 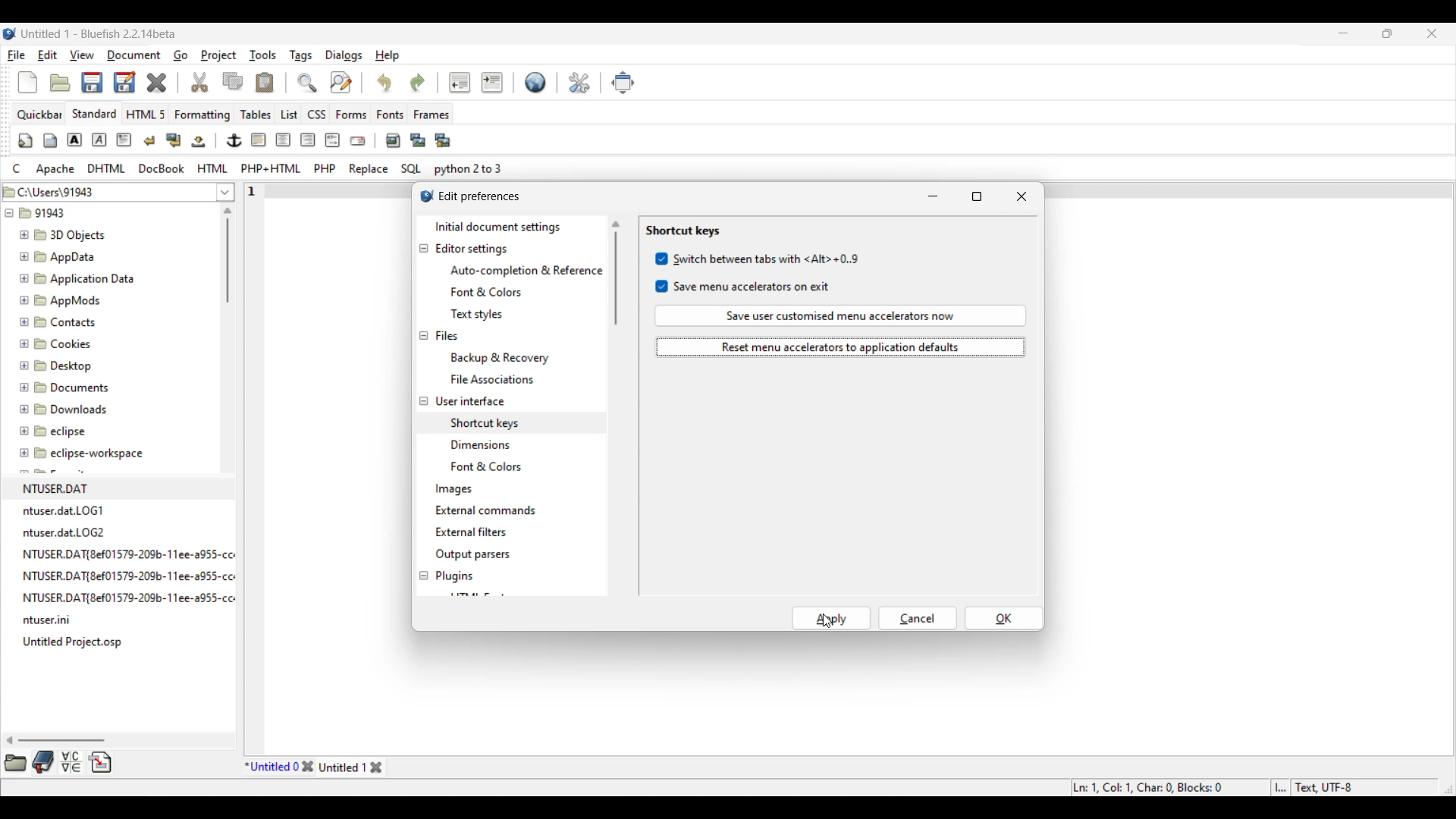 I want to click on Desktop, so click(x=64, y=363).